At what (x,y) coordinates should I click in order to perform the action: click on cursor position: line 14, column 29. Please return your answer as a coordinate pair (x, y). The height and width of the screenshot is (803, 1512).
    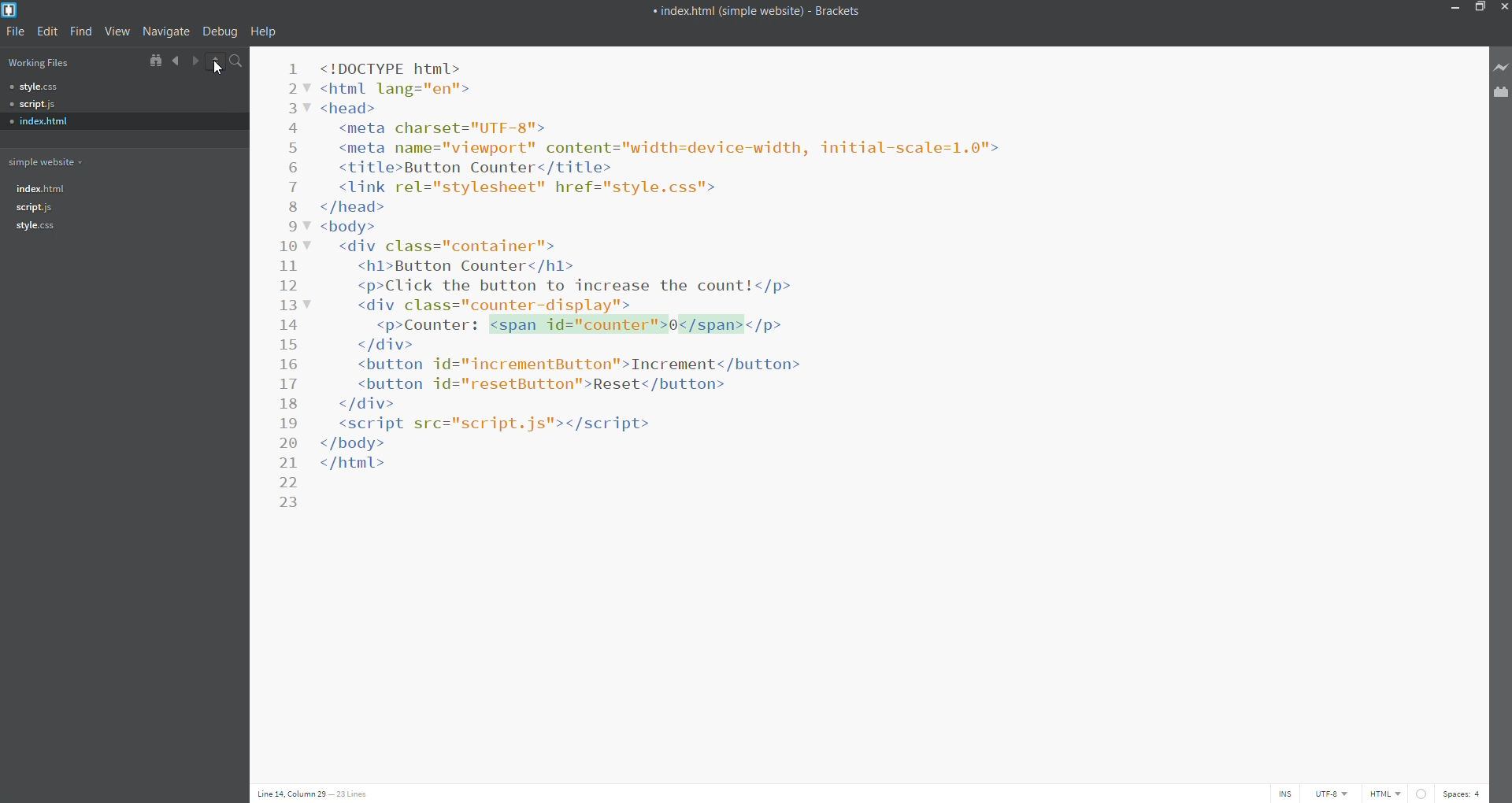
    Looking at the image, I should click on (290, 794).